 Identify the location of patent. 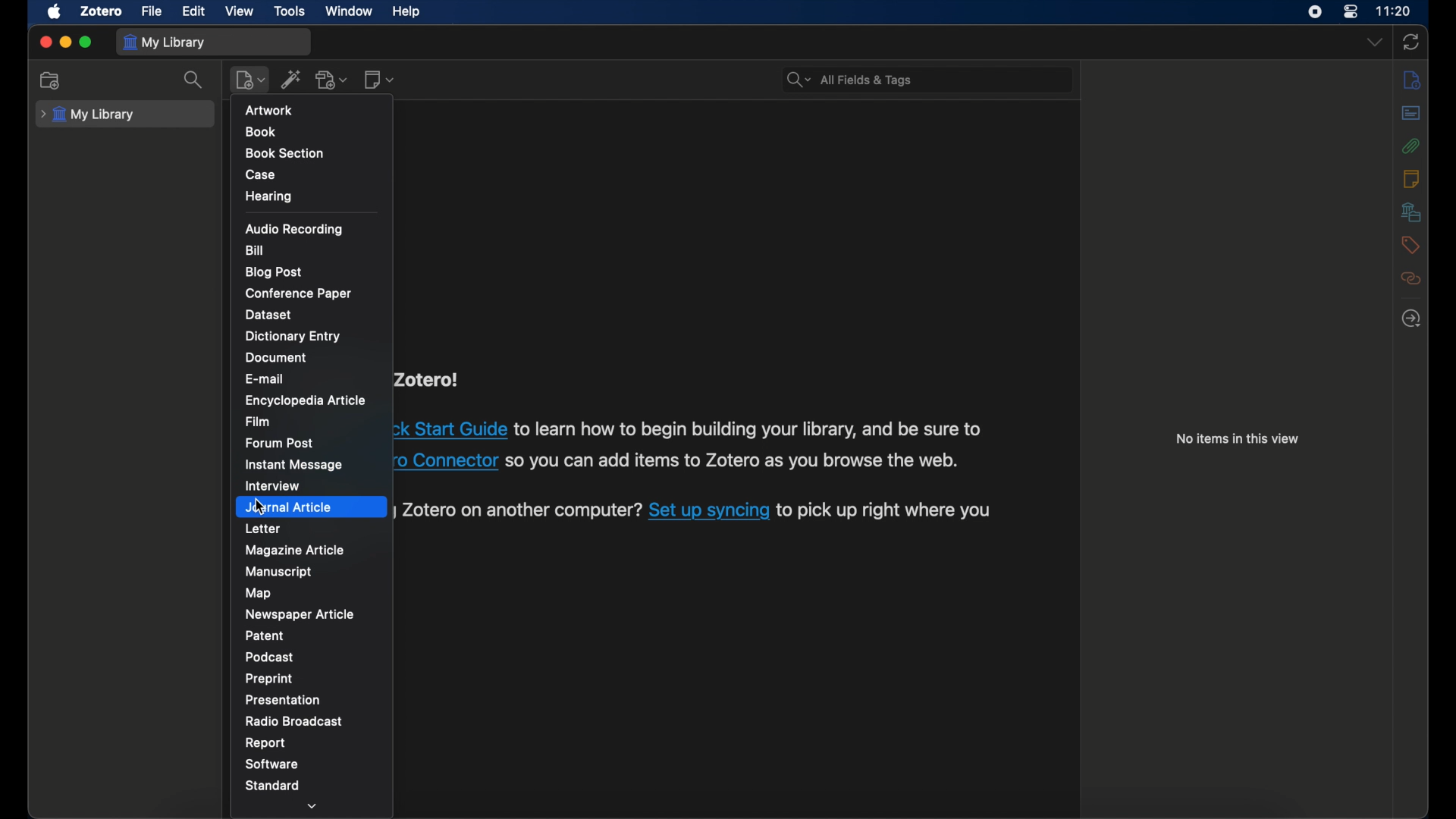
(265, 635).